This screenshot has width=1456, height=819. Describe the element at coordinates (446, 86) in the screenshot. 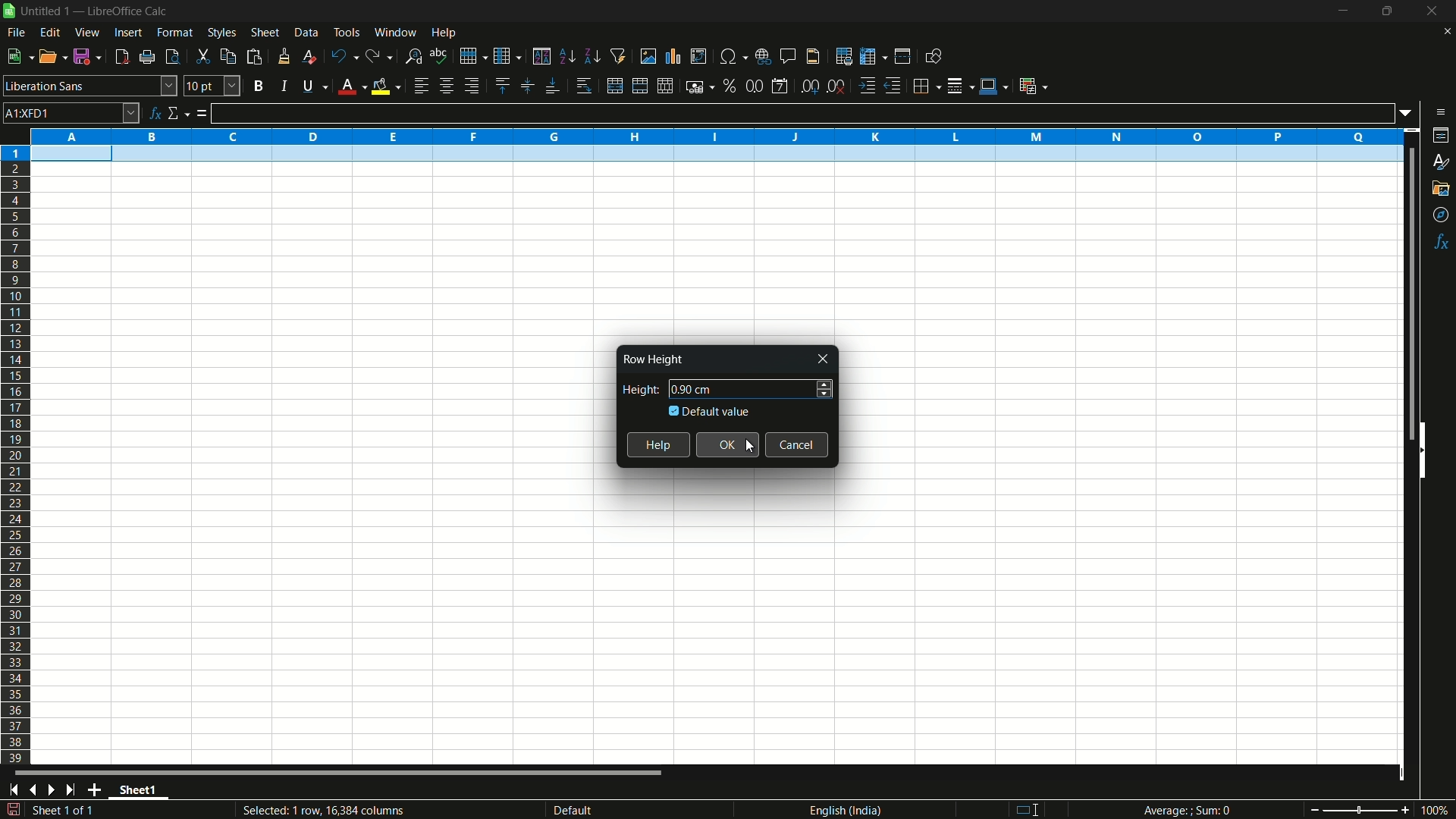

I see `align center` at that location.